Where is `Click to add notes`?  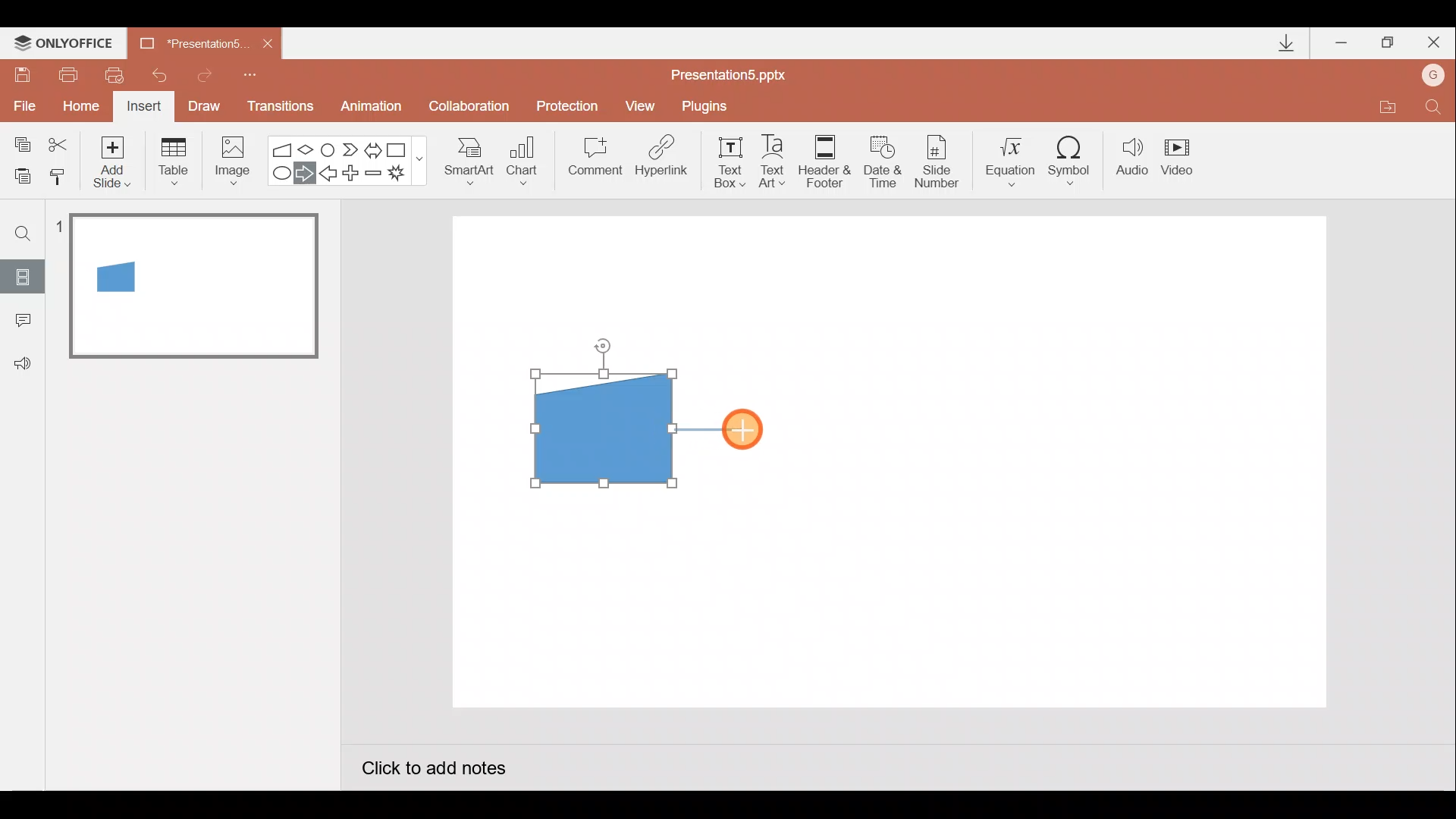
Click to add notes is located at coordinates (432, 770).